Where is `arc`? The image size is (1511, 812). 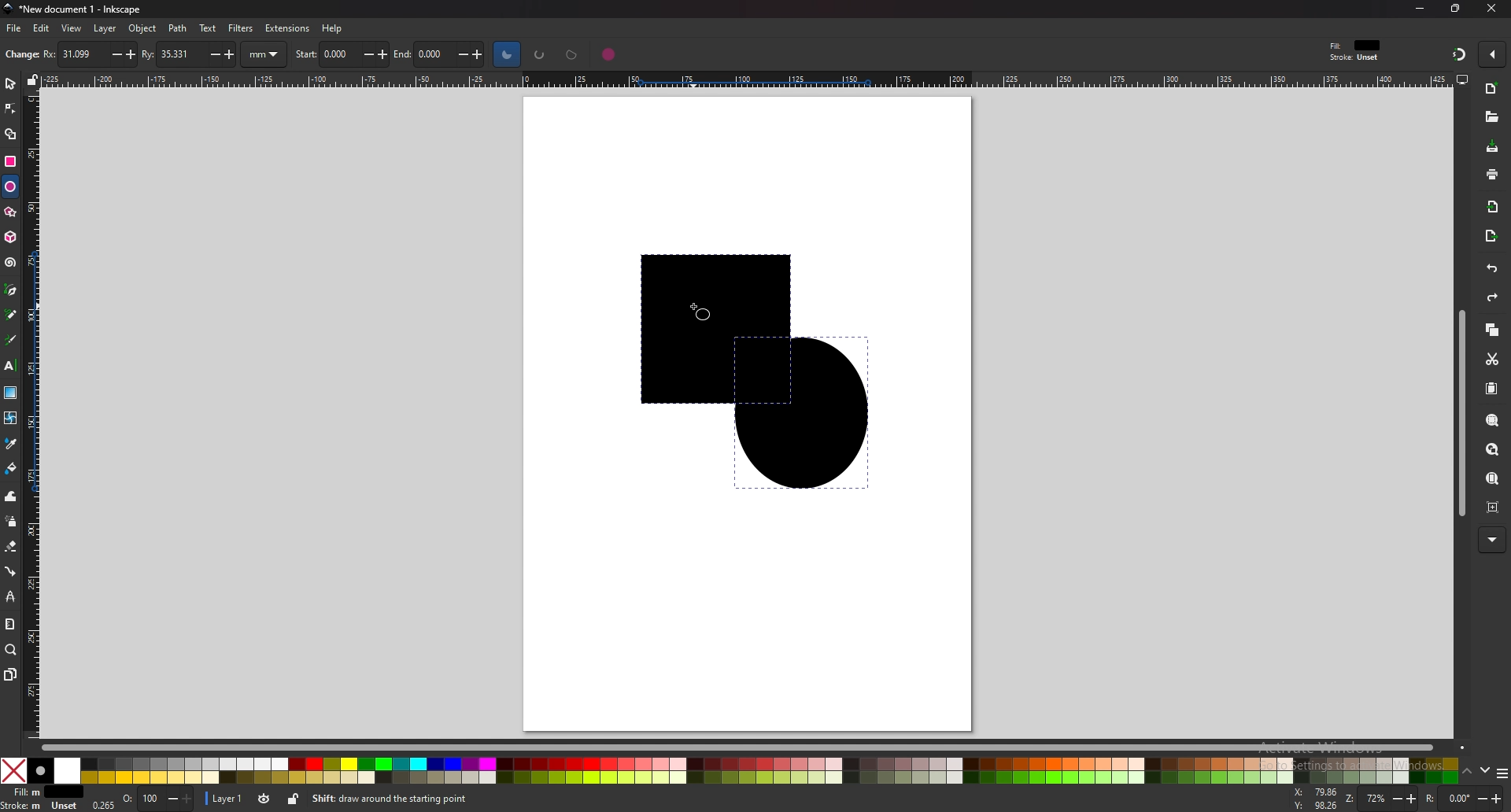 arc is located at coordinates (540, 54).